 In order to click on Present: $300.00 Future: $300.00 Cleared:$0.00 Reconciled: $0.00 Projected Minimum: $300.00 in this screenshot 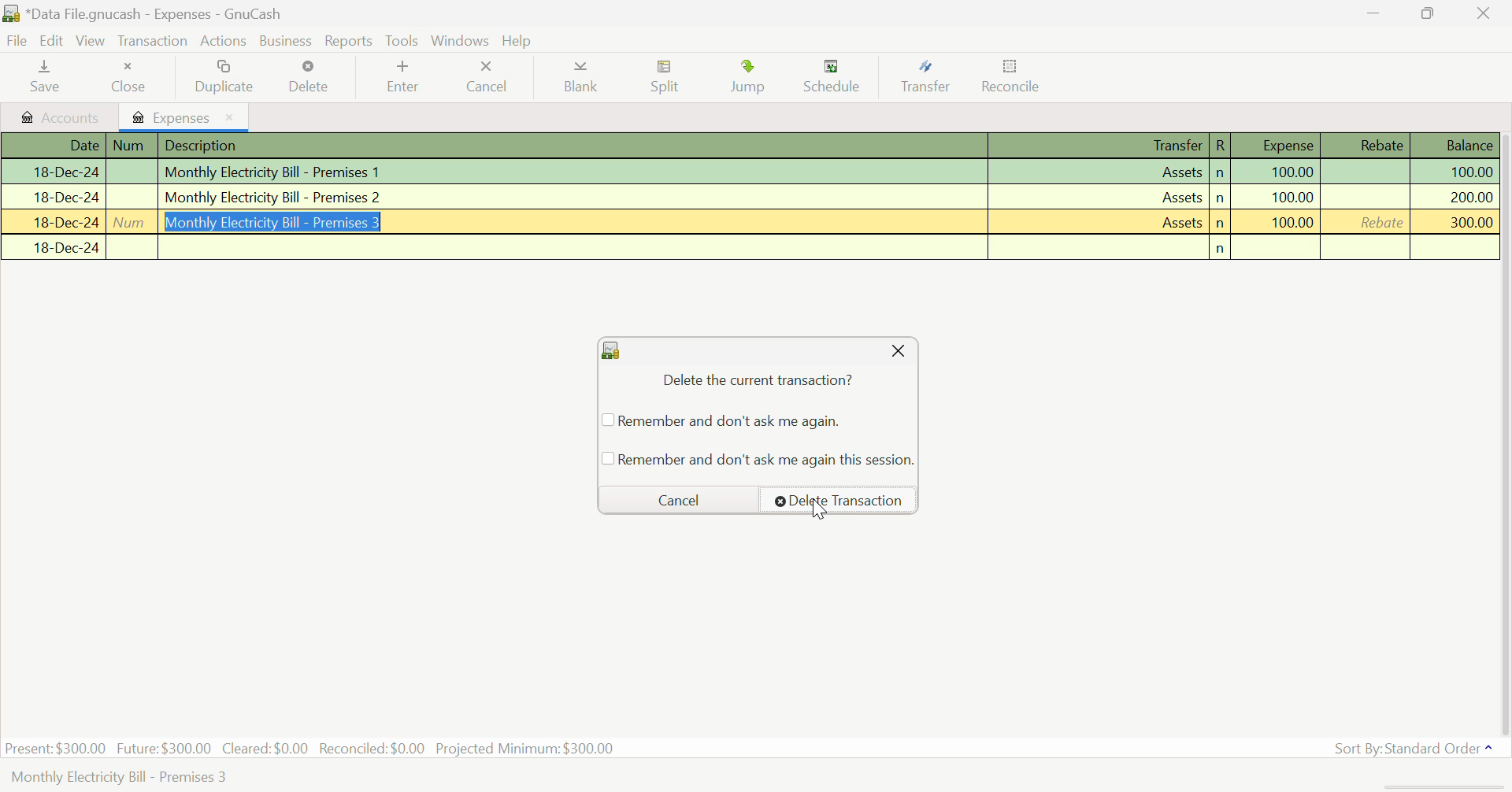, I will do `click(312, 749)`.